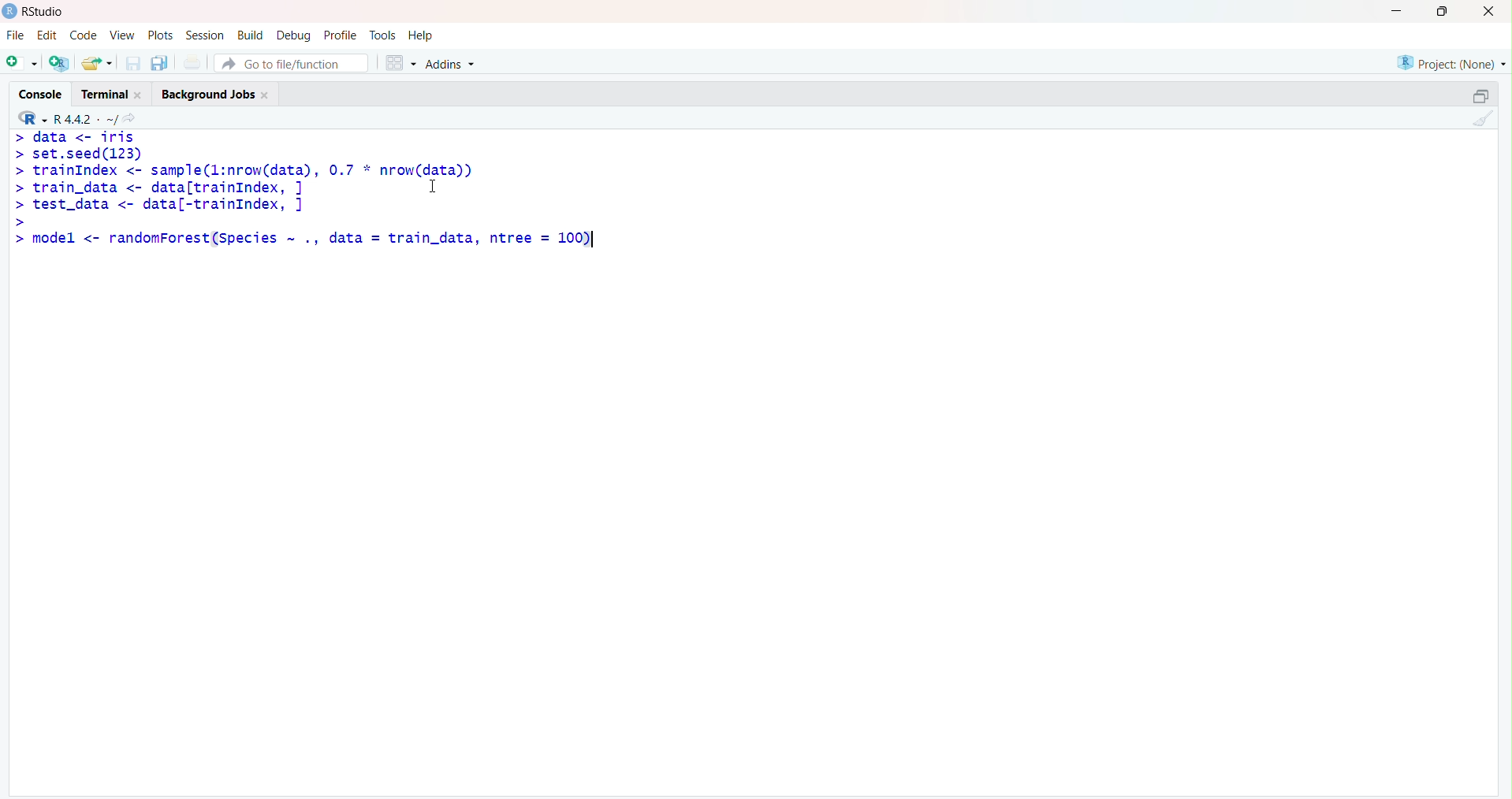  Describe the element at coordinates (20, 221) in the screenshot. I see `Prompt cursor` at that location.